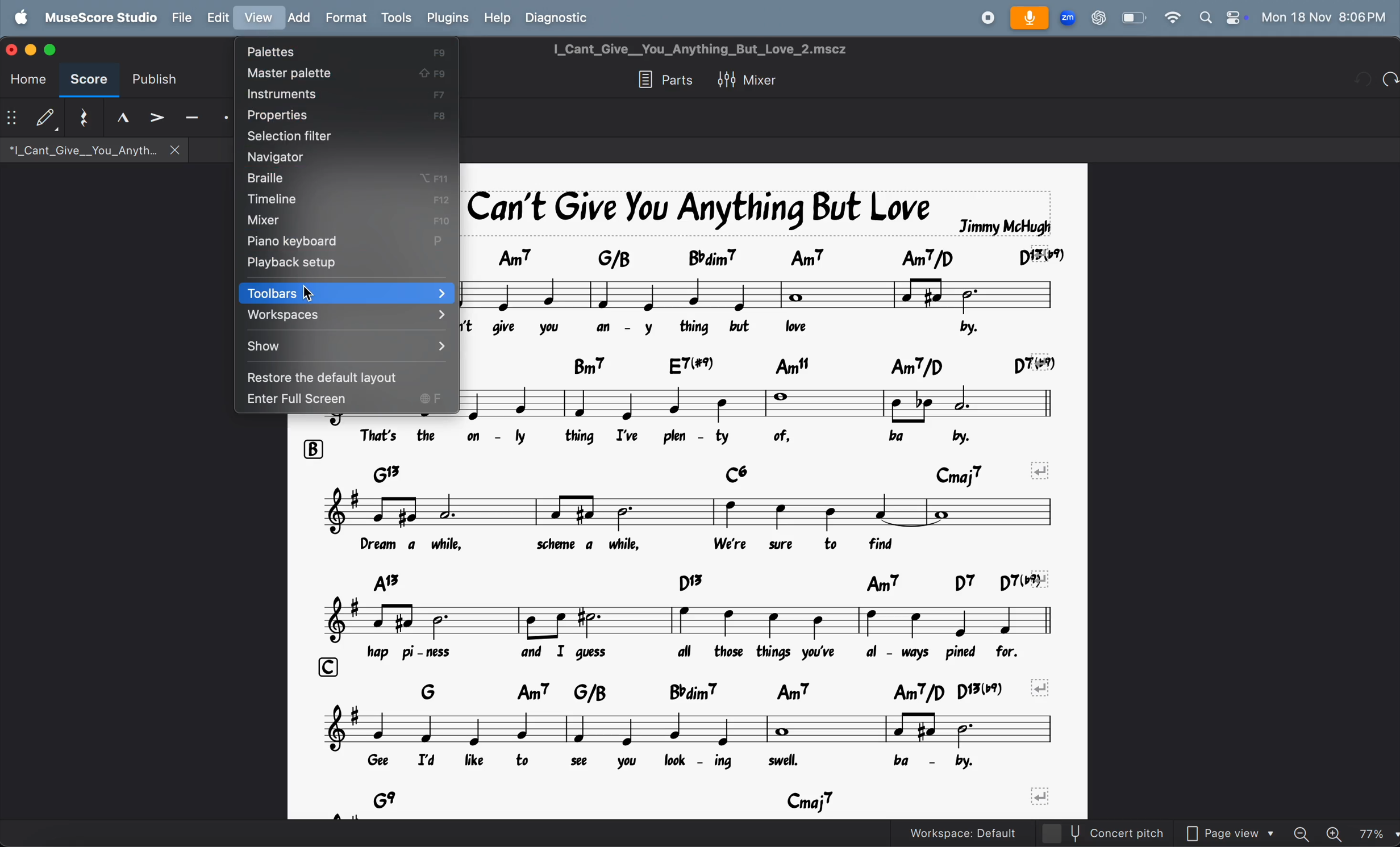 This screenshot has height=847, width=1400. I want to click on minimize, so click(33, 49).